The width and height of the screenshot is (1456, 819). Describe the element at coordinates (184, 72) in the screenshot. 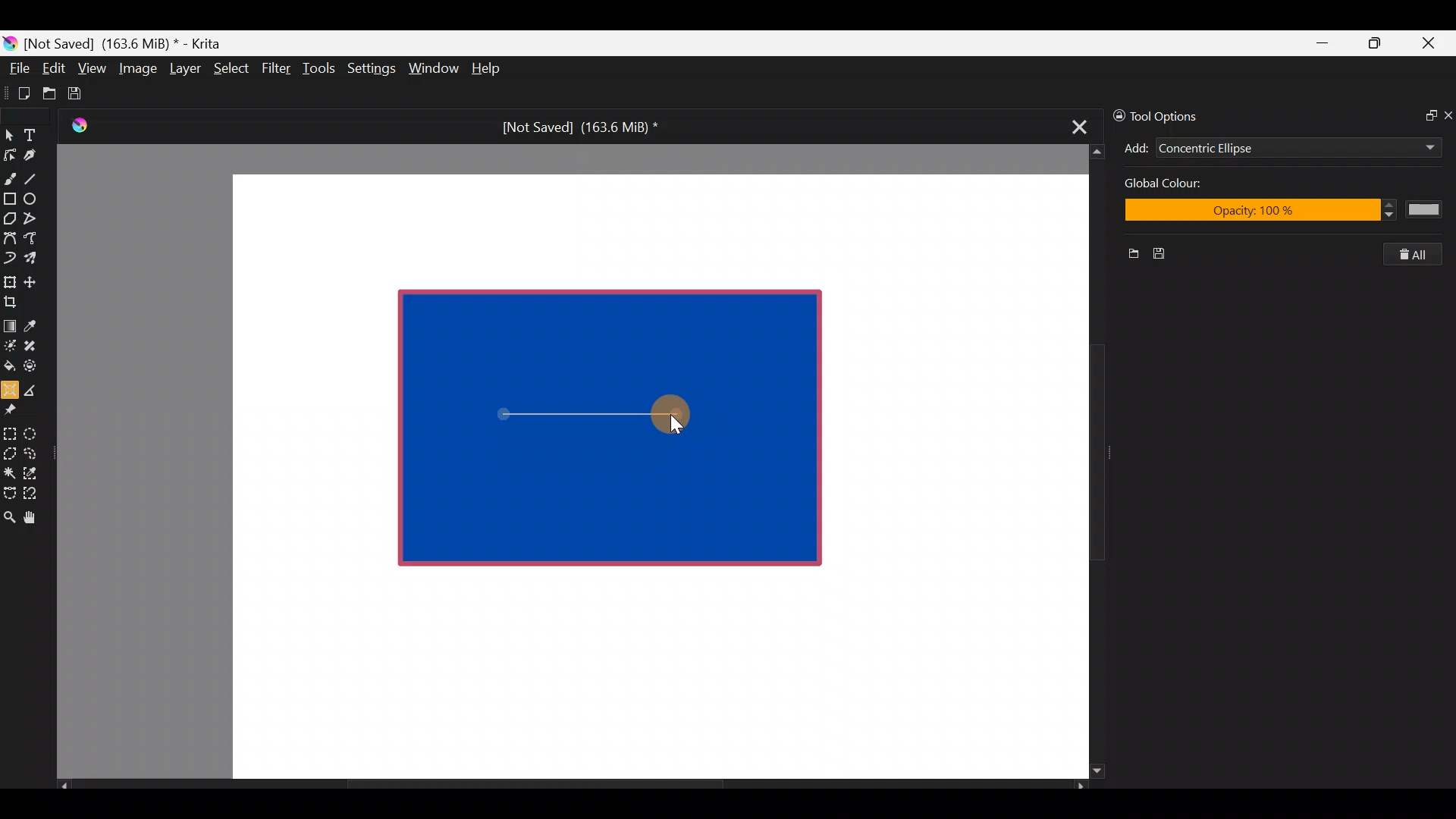

I see `Layer` at that location.